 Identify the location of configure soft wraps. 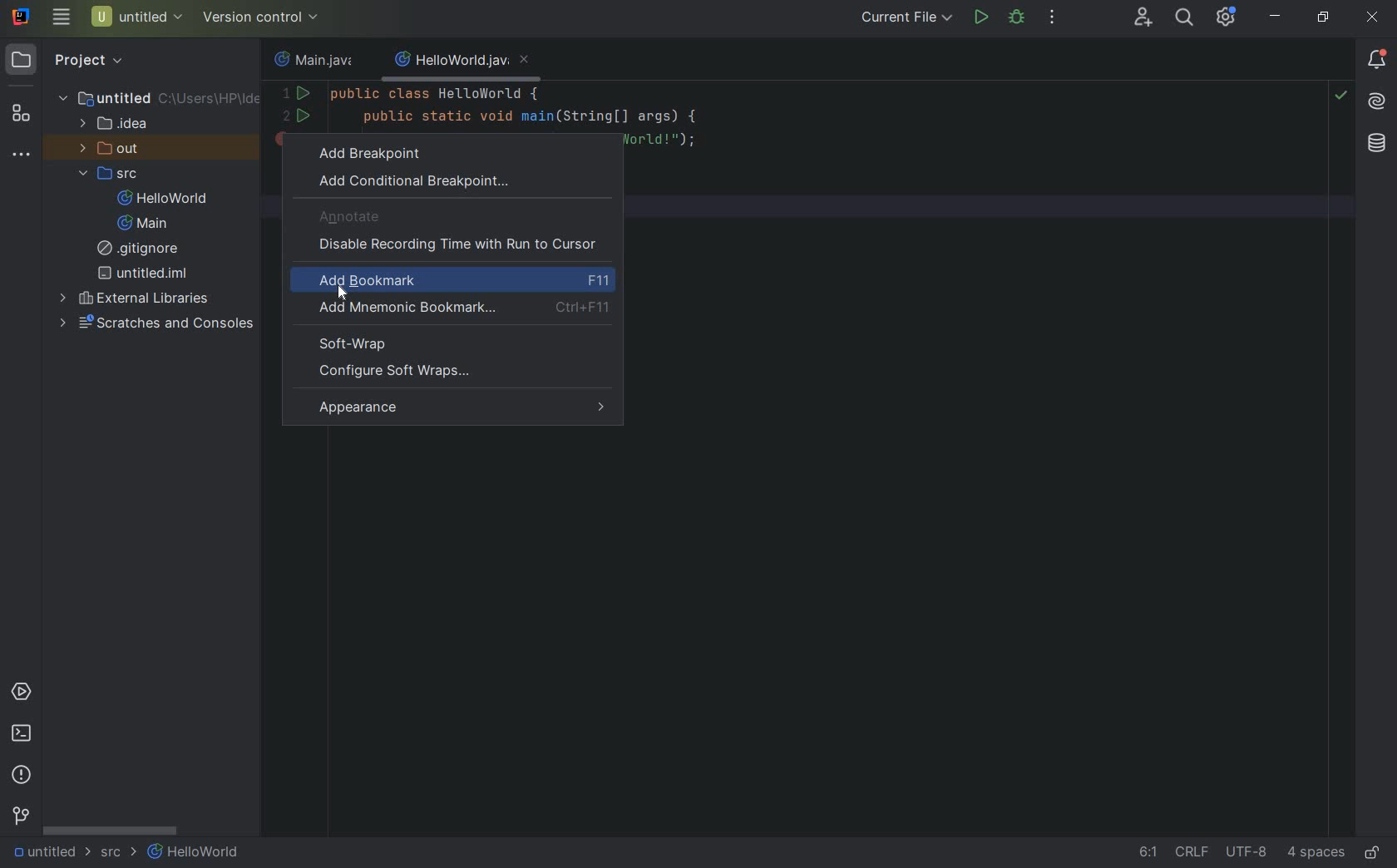
(392, 372).